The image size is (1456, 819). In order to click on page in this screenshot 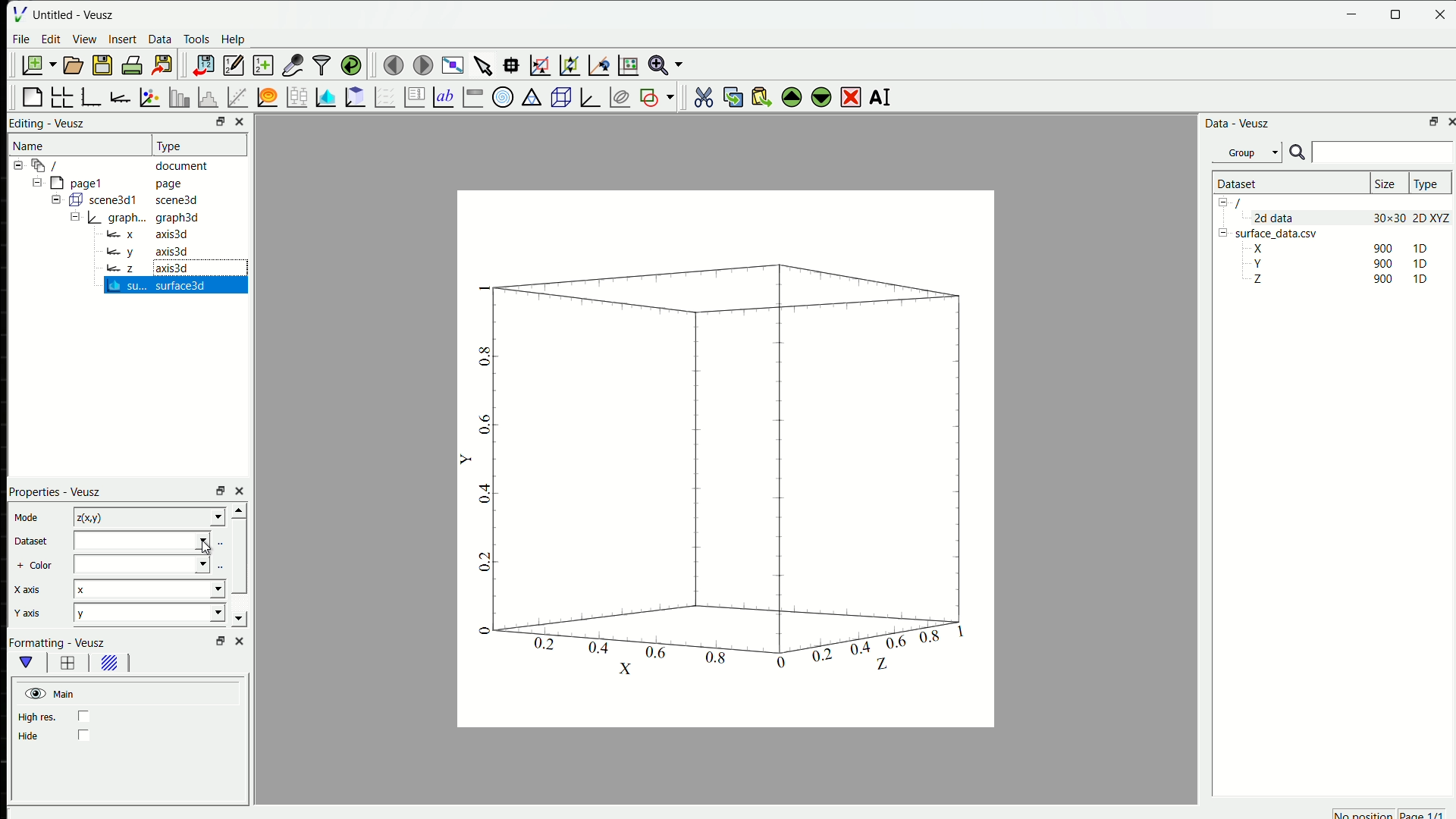, I will do `click(177, 184)`.